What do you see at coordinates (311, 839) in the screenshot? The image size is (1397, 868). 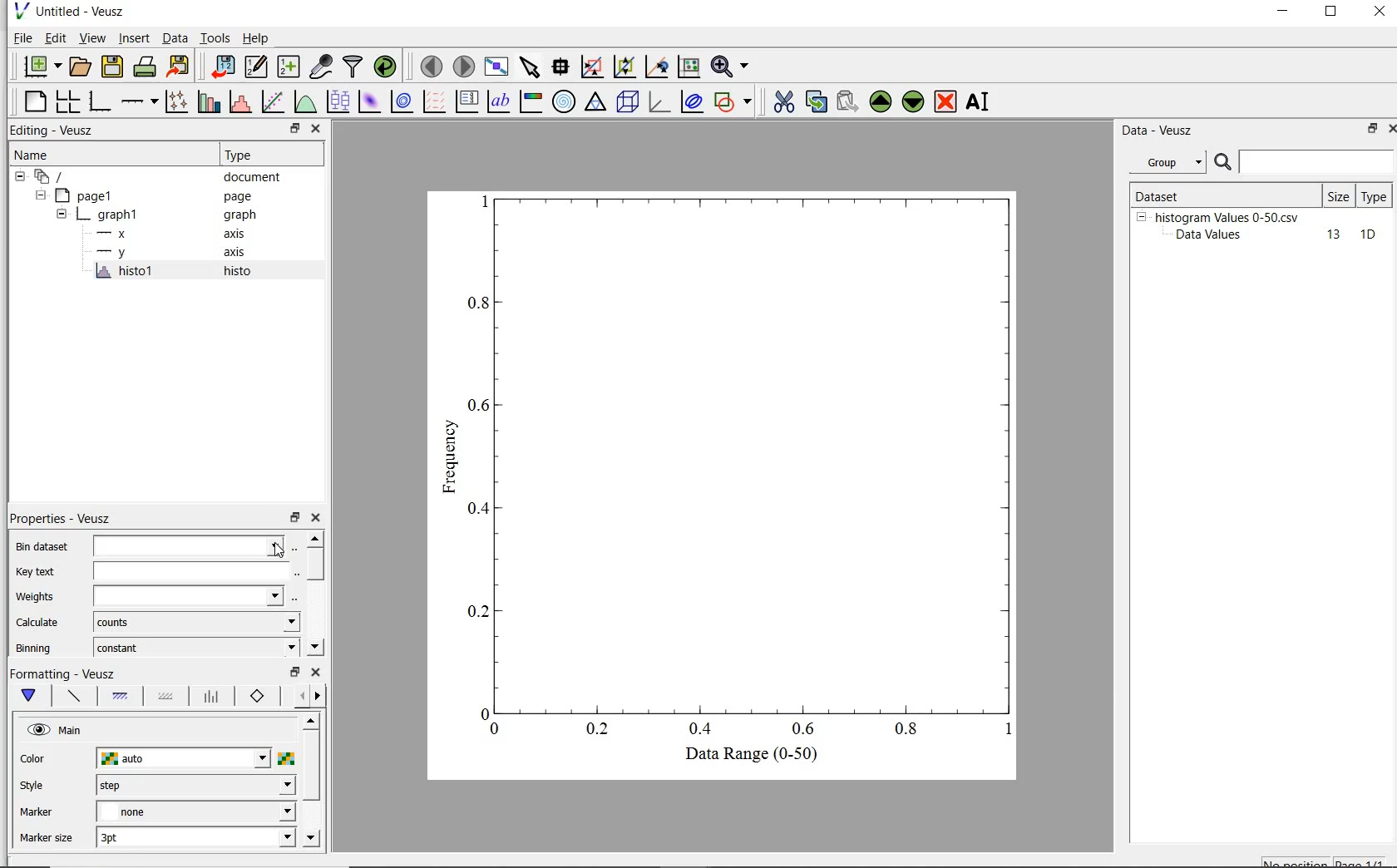 I see `move down` at bounding box center [311, 839].